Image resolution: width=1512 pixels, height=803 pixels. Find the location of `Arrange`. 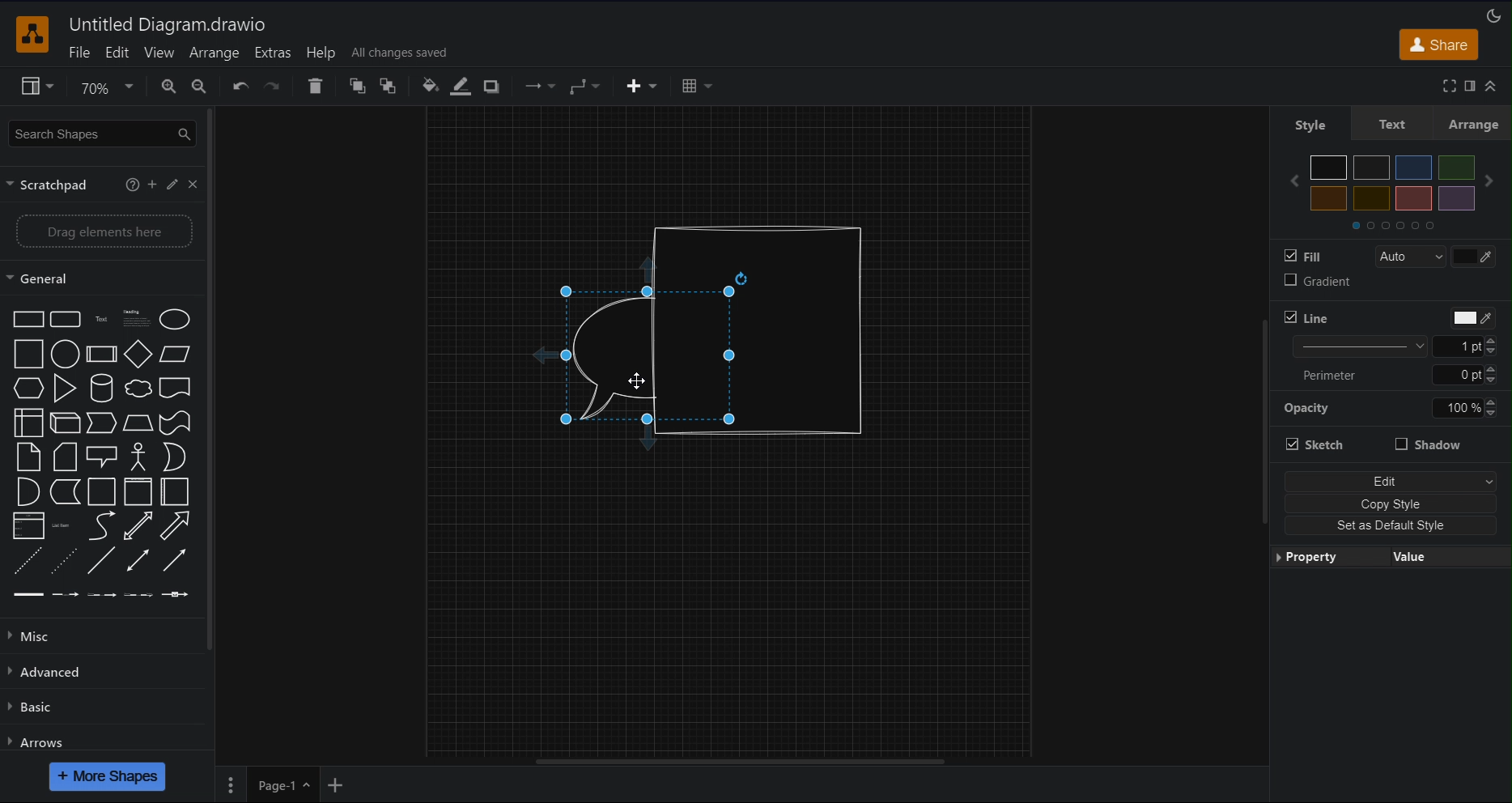

Arrange is located at coordinates (1477, 123).